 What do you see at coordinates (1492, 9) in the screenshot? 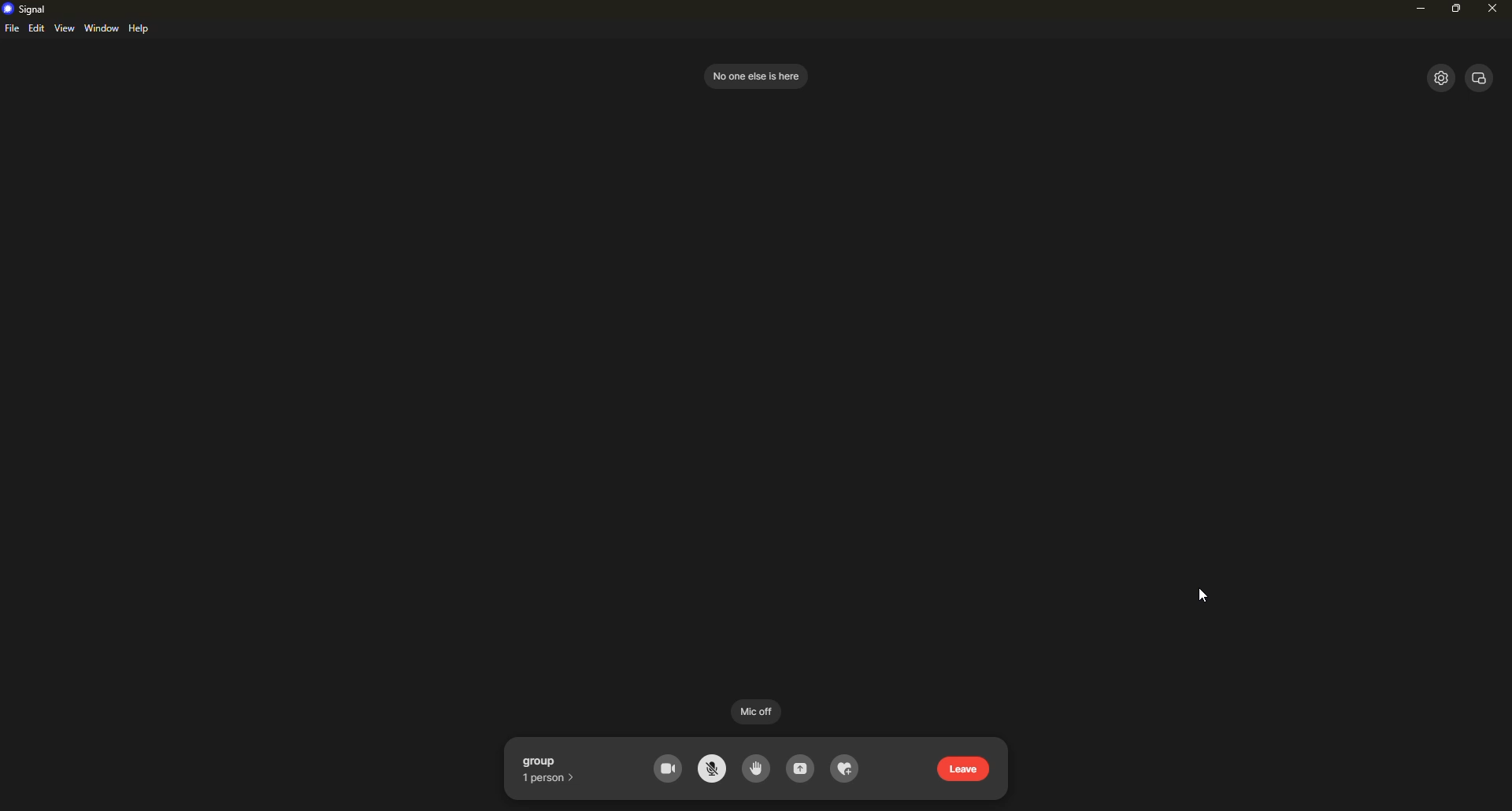
I see `close` at bounding box center [1492, 9].